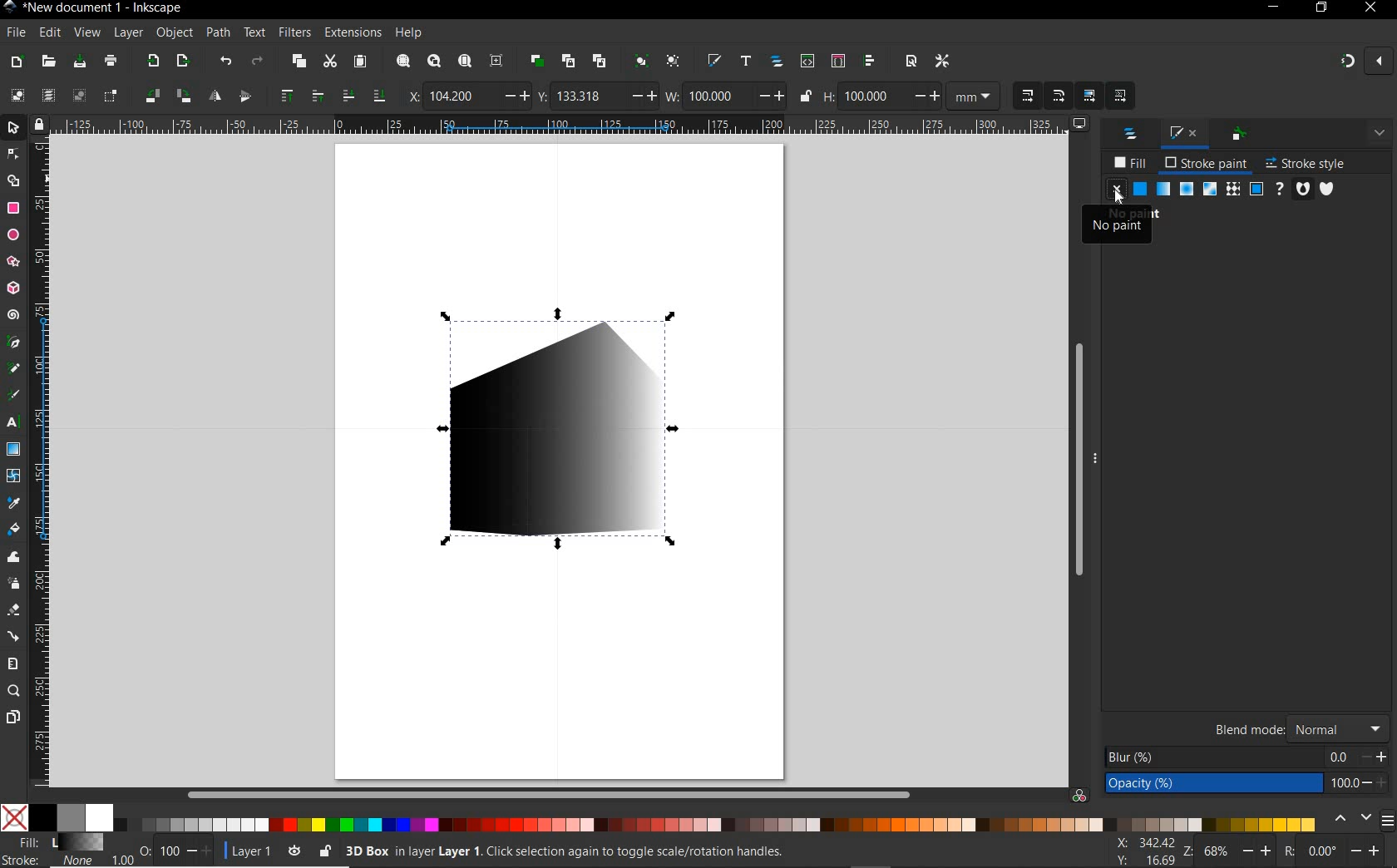 Image resolution: width=1397 pixels, height=868 pixels. I want to click on VIEW, so click(85, 33).